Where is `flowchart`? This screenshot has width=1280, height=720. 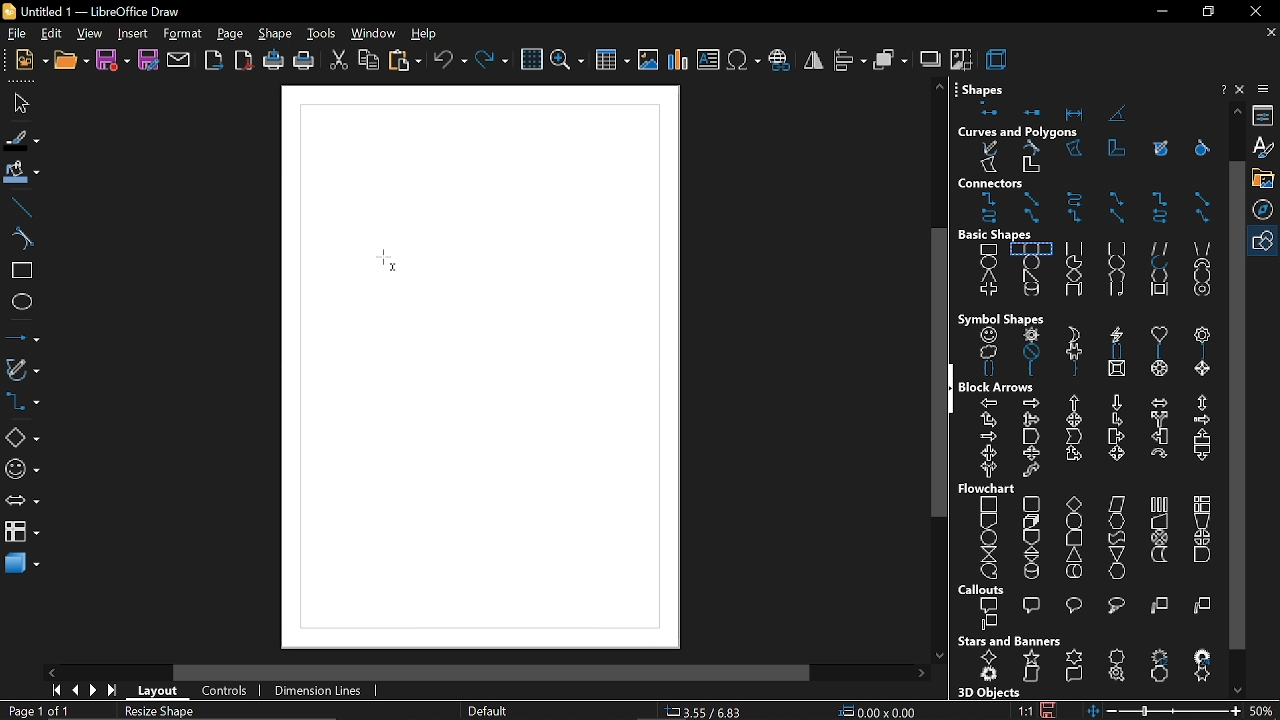 flowchart is located at coordinates (22, 531).